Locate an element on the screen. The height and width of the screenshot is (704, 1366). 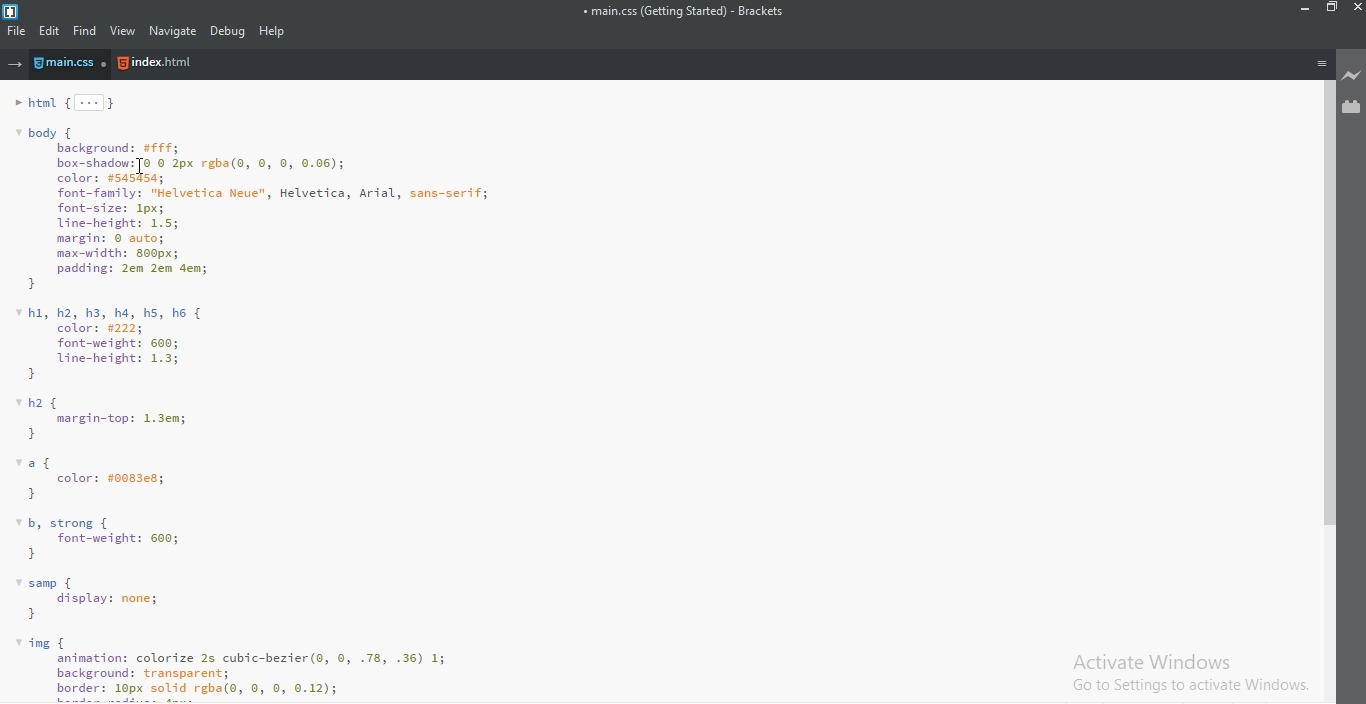
find is located at coordinates (86, 31).